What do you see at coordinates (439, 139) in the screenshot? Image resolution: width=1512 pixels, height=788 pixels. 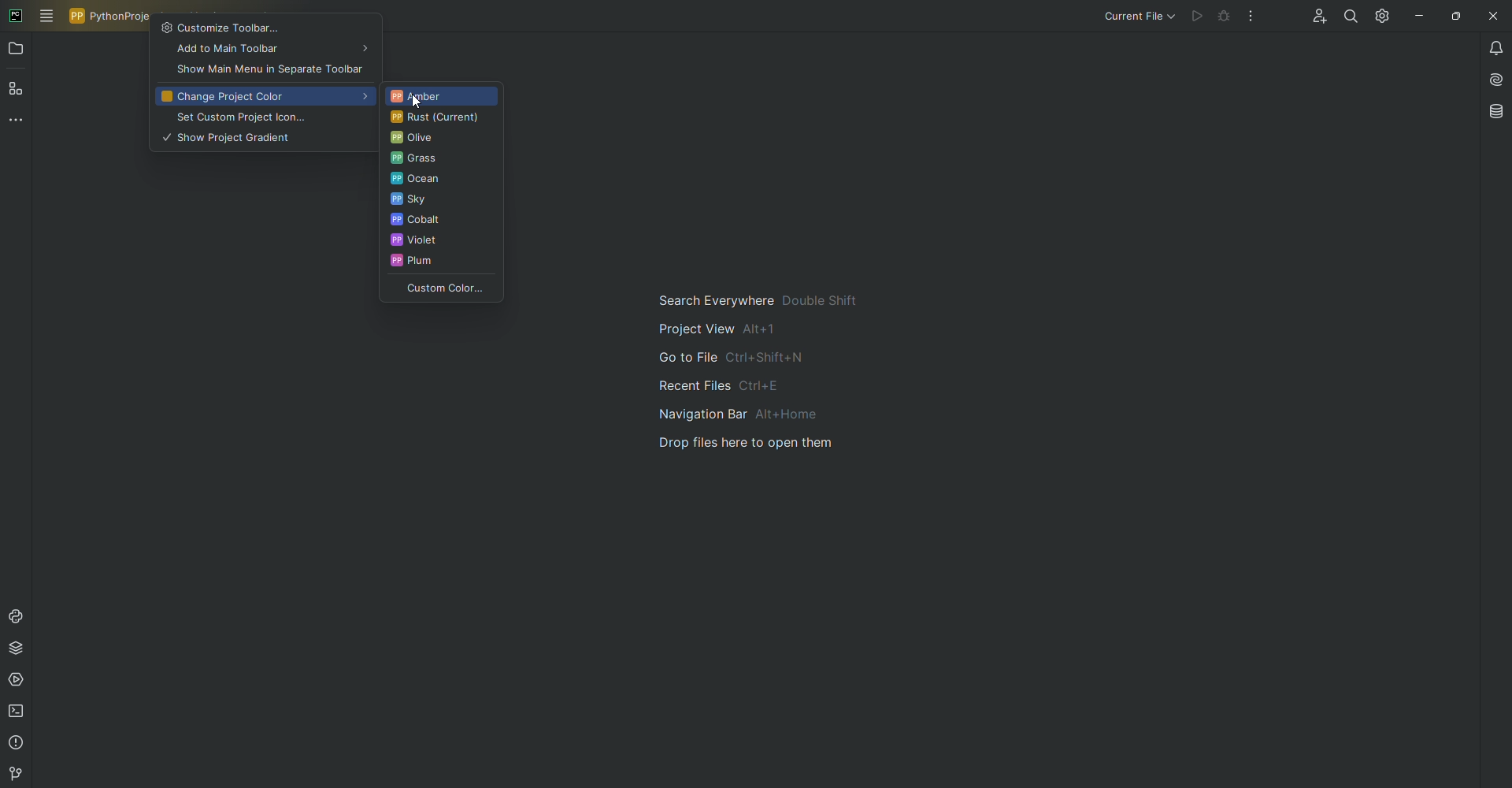 I see `Olive` at bounding box center [439, 139].